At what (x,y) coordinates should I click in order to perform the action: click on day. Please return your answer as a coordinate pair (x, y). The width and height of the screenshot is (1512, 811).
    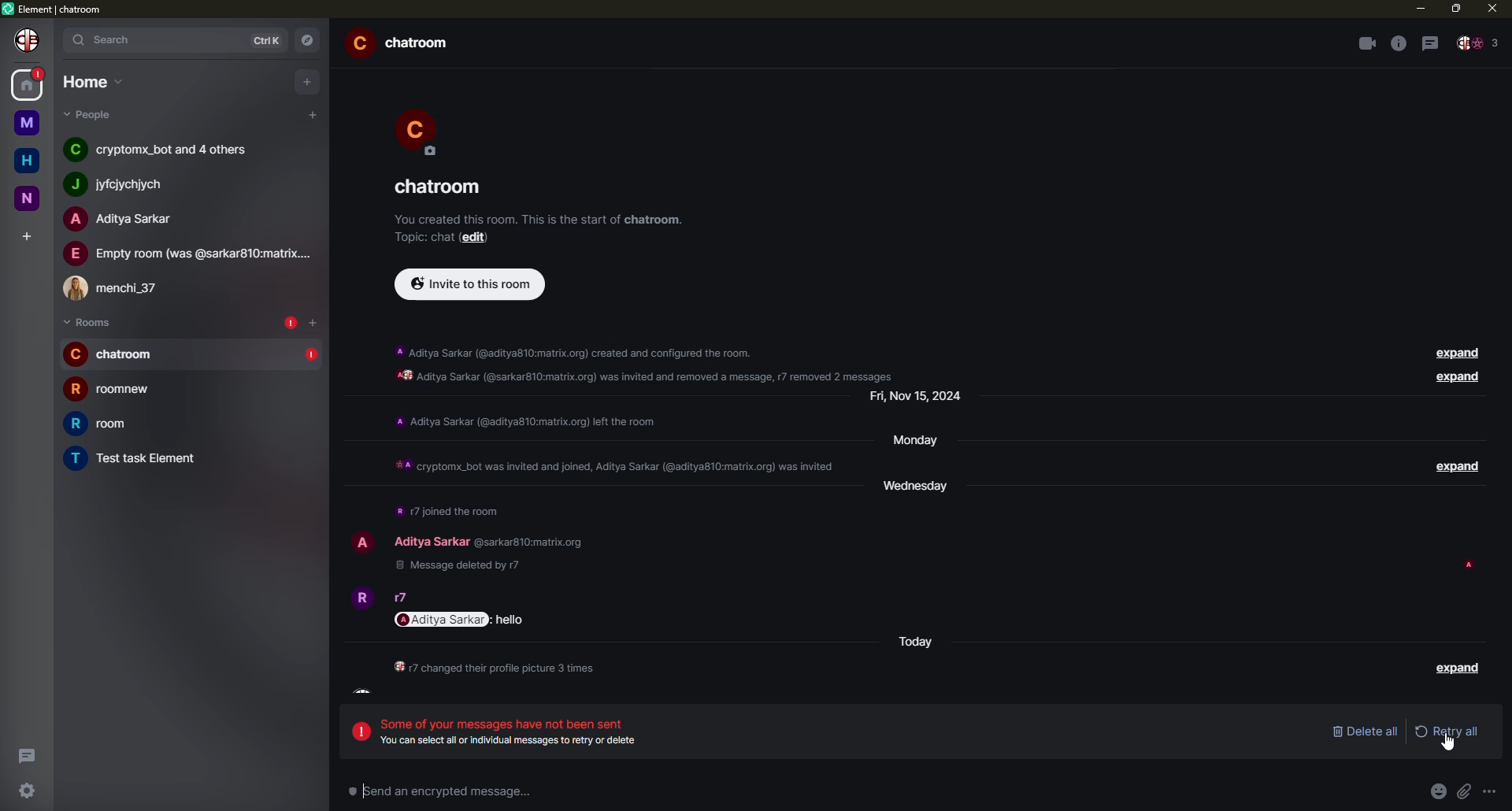
    Looking at the image, I should click on (919, 442).